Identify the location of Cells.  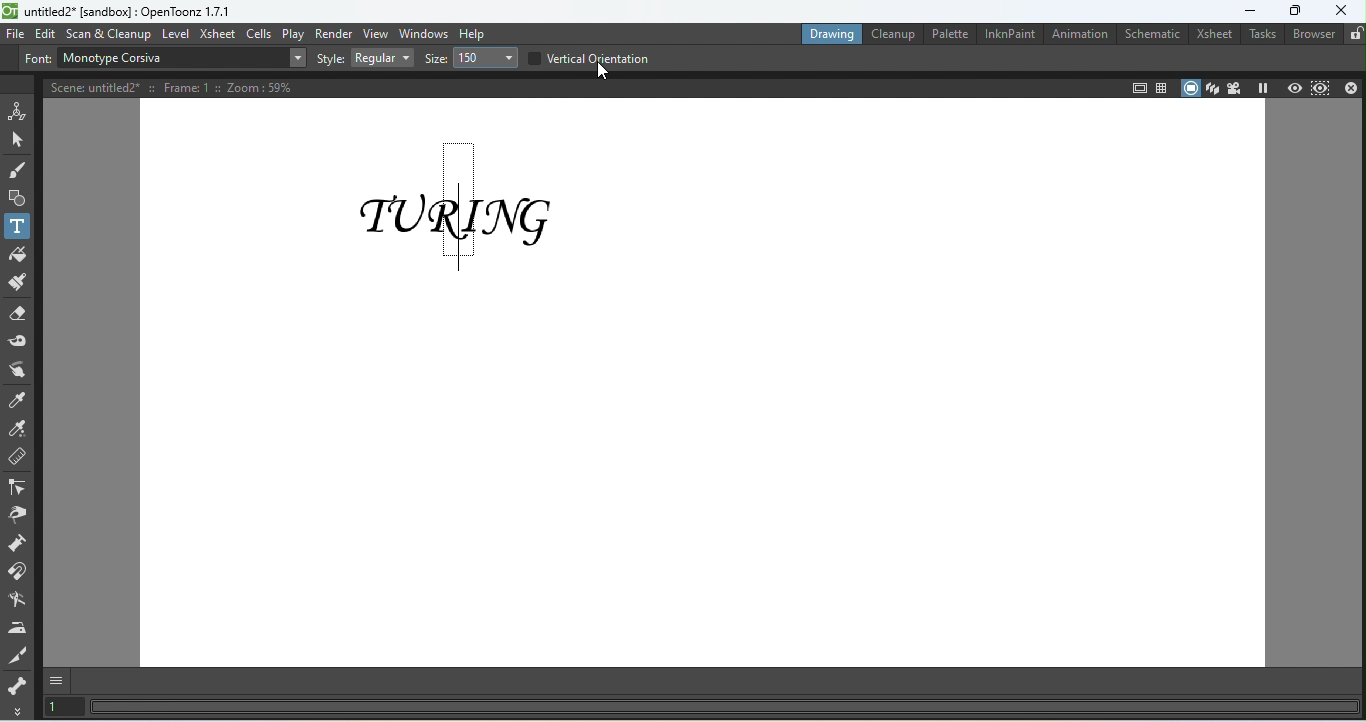
(257, 34).